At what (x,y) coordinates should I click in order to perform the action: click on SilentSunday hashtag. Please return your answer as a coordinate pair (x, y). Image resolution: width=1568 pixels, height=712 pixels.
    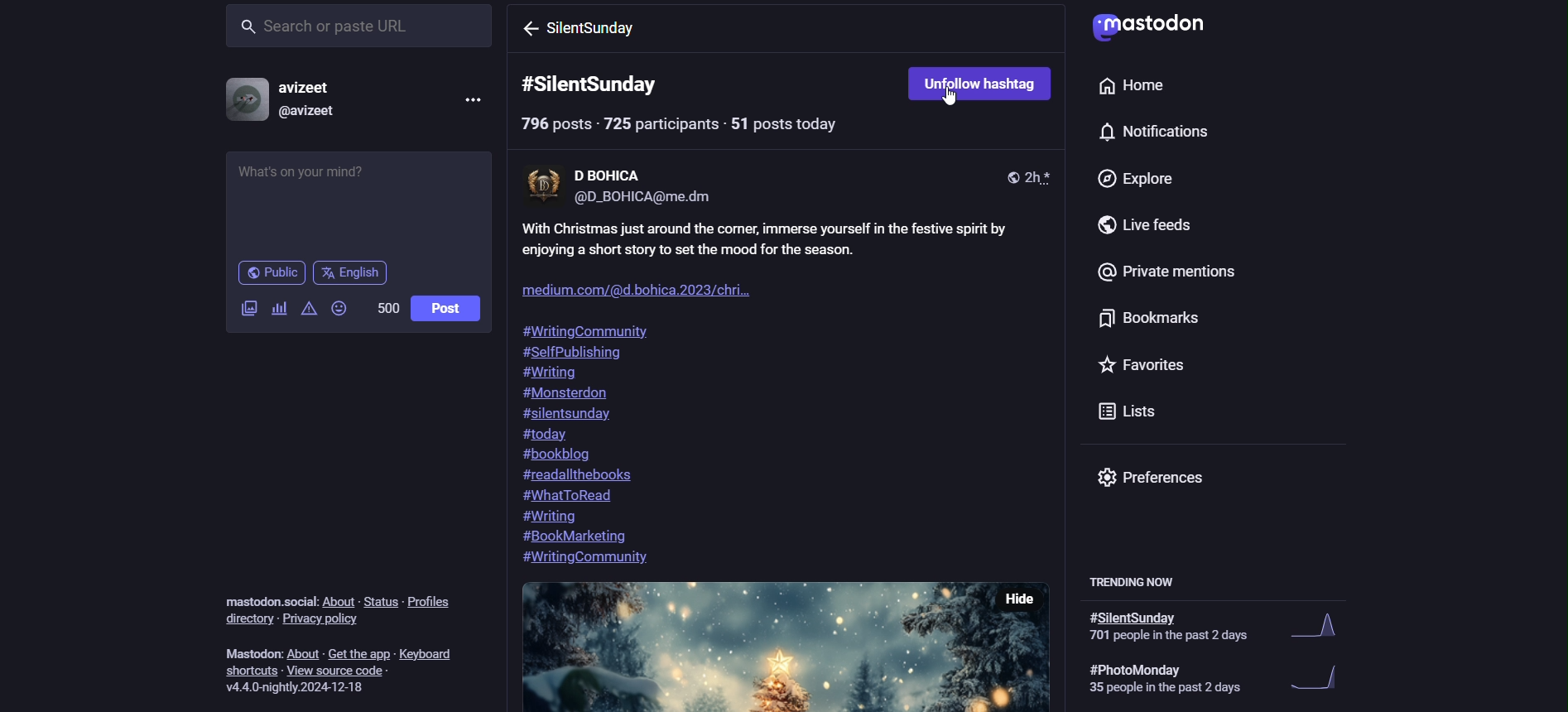
    Looking at the image, I should click on (584, 30).